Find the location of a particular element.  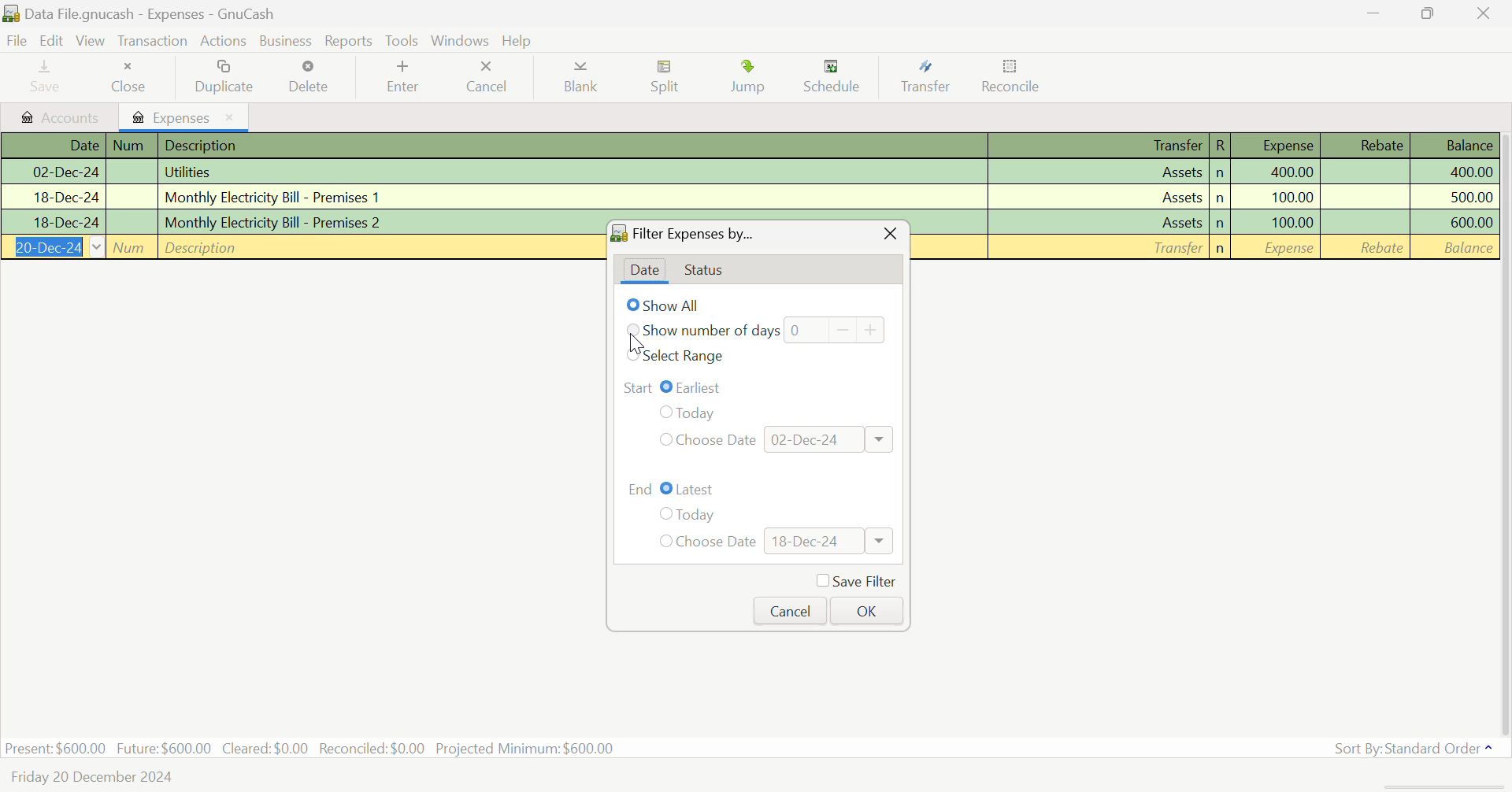

Rebate is located at coordinates (1366, 146).